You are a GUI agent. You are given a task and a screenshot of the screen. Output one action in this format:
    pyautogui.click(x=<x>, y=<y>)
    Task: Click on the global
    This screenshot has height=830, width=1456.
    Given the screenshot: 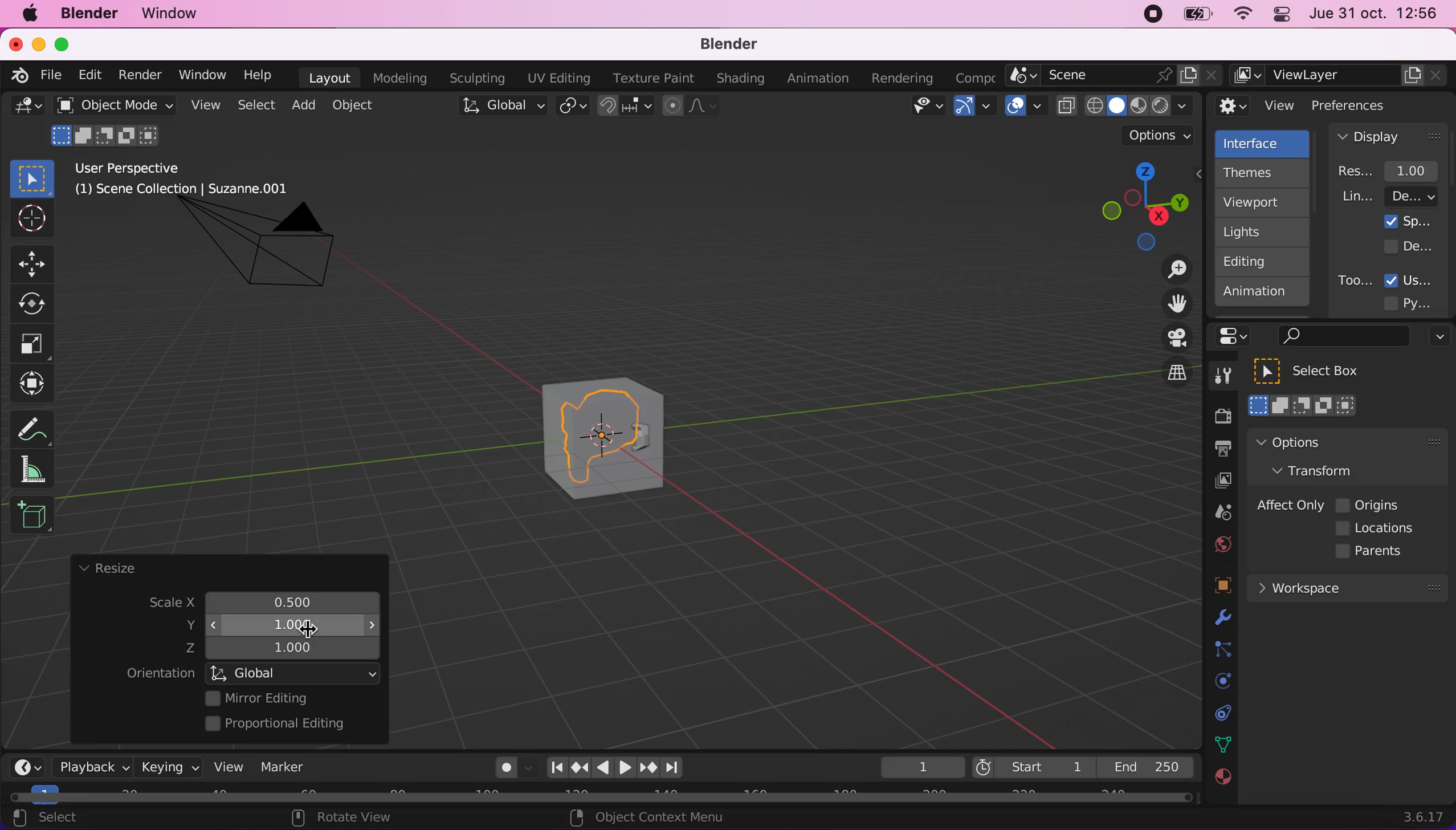 What is the action you would take?
    pyautogui.click(x=500, y=108)
    